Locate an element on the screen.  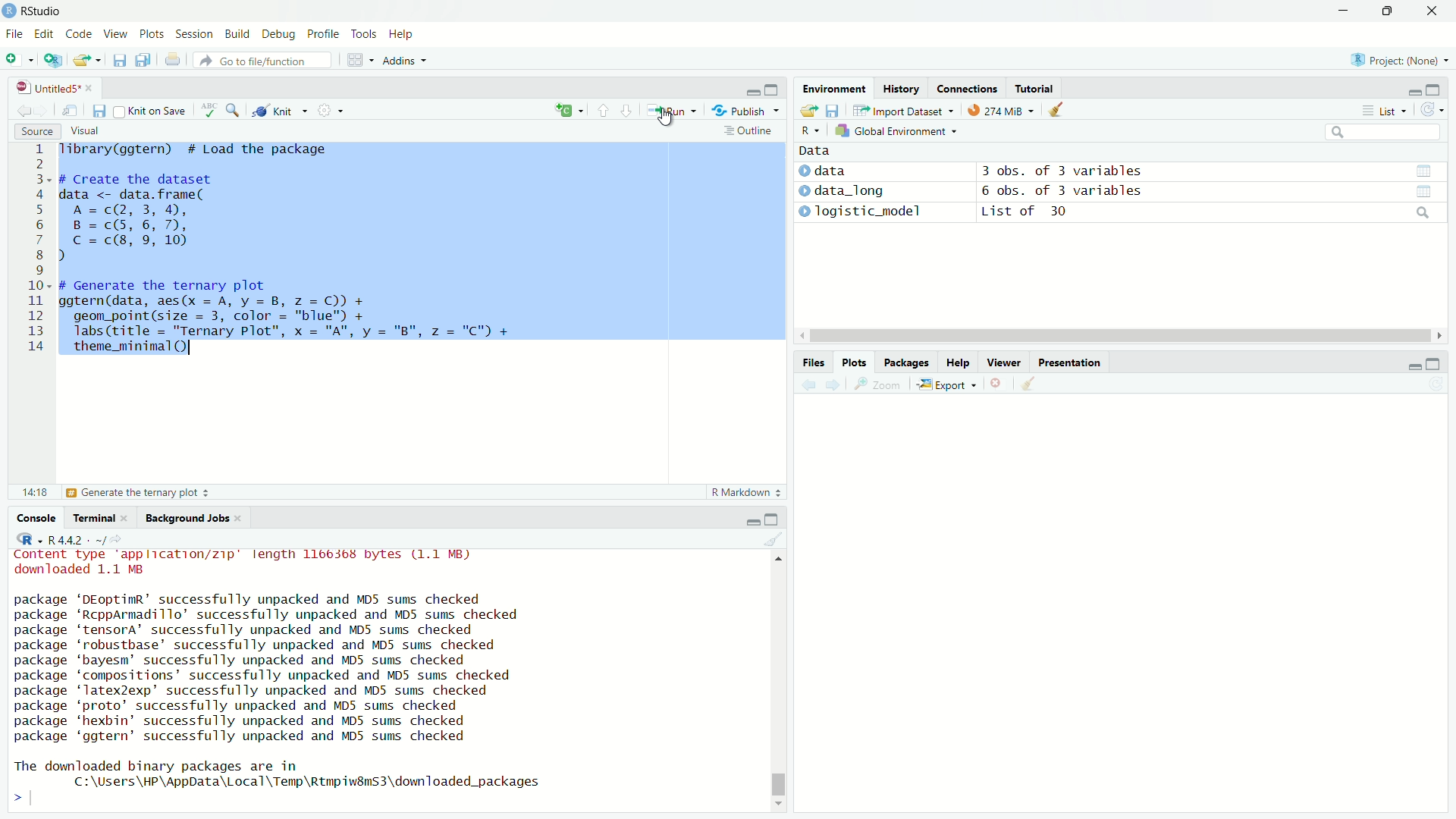
File is located at coordinates (16, 33).